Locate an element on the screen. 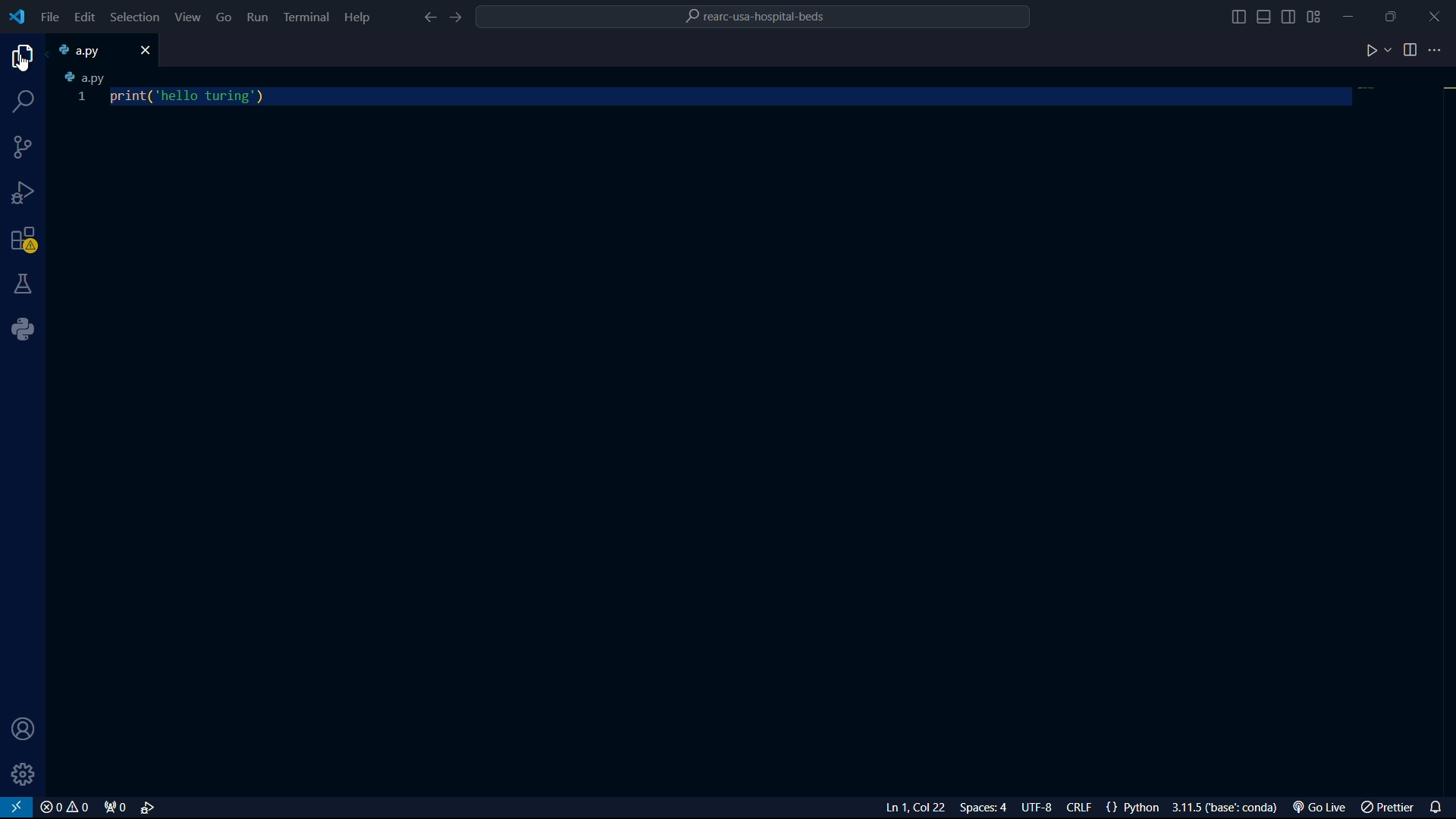  select end line of sequence is located at coordinates (1078, 808).